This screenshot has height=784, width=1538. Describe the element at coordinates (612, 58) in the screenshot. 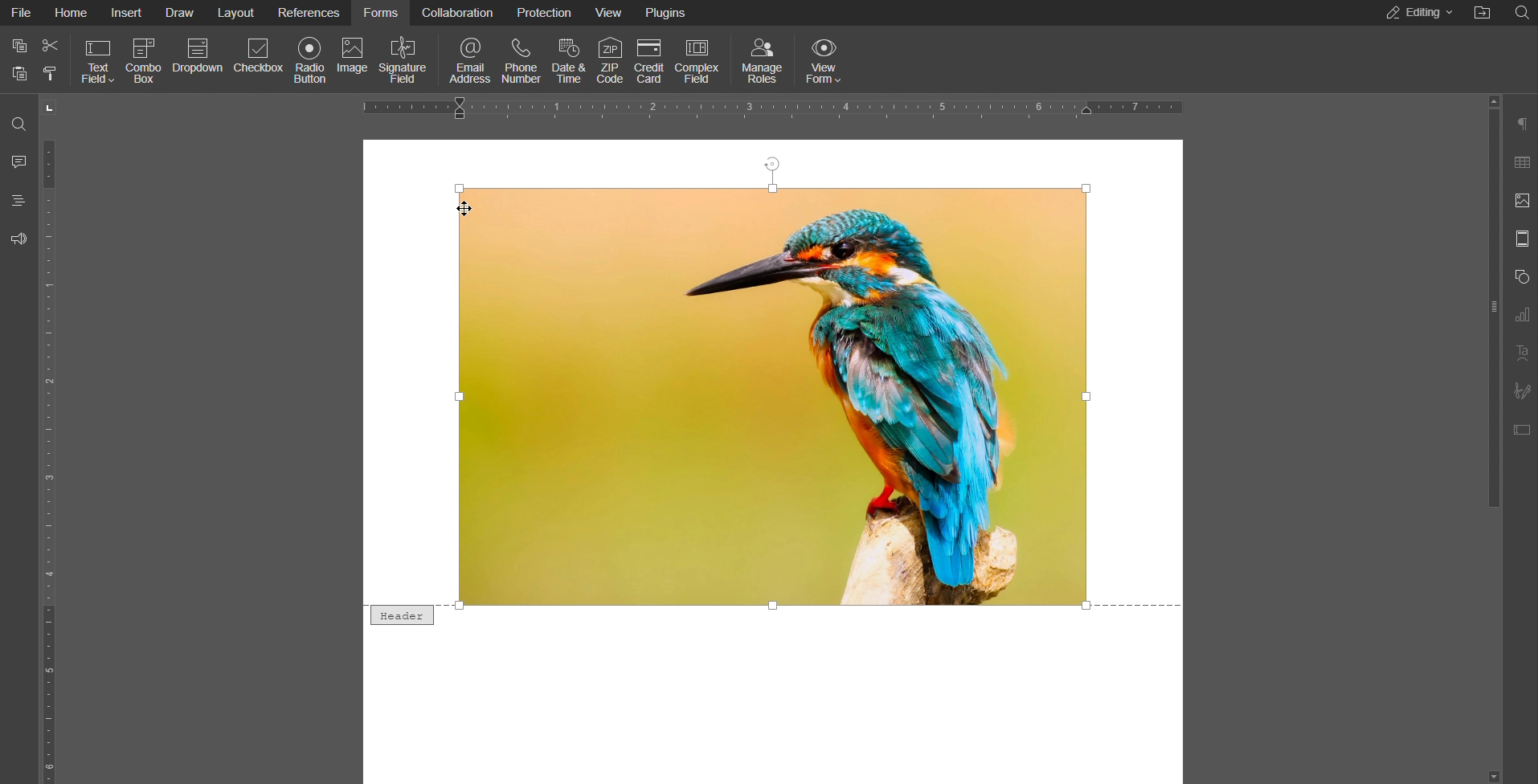

I see `Zip Code` at that location.